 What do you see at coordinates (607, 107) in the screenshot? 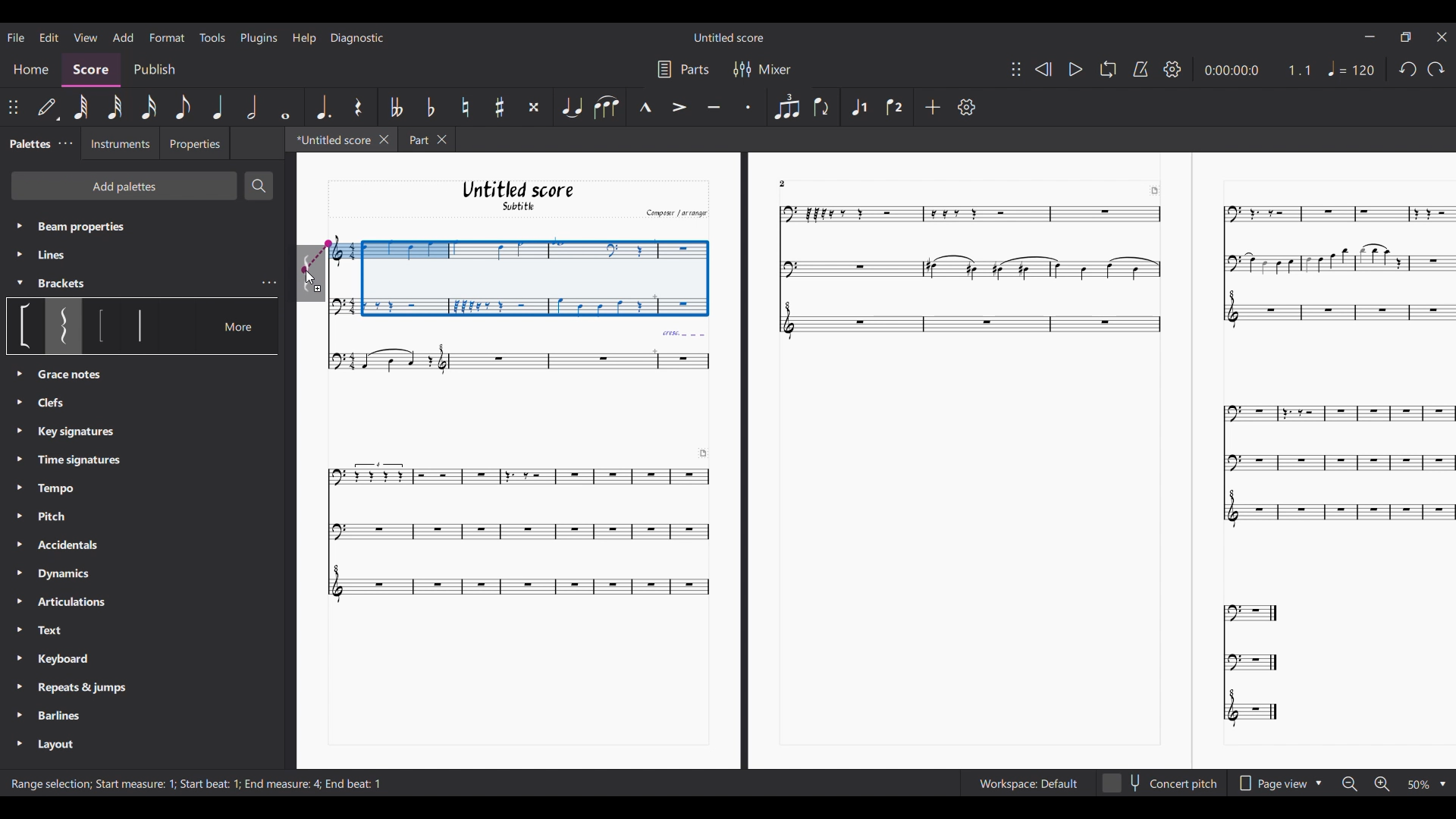
I see `Slur` at bounding box center [607, 107].